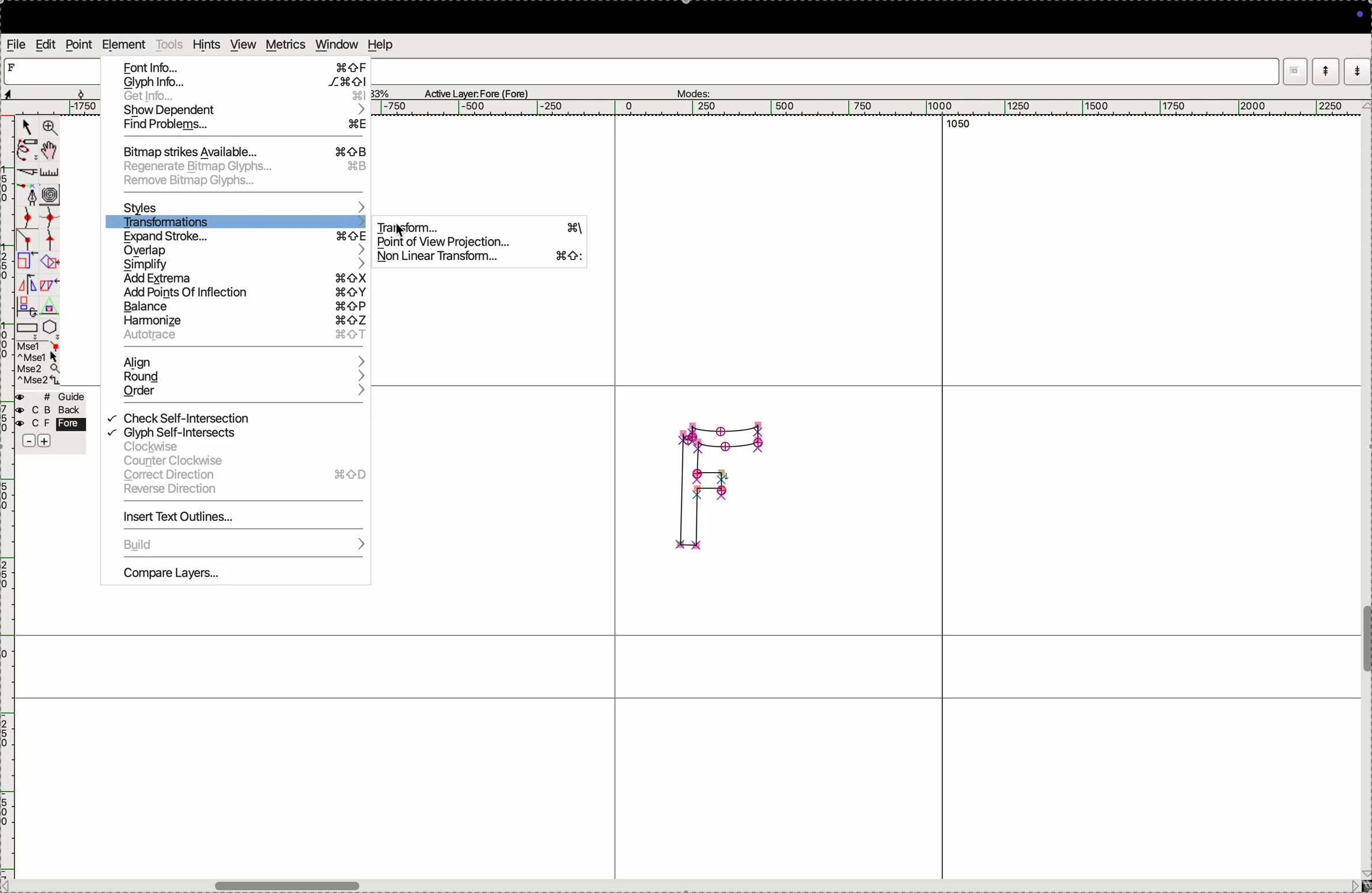 This screenshot has width=1372, height=893. I want to click on mode up, so click(1324, 71).